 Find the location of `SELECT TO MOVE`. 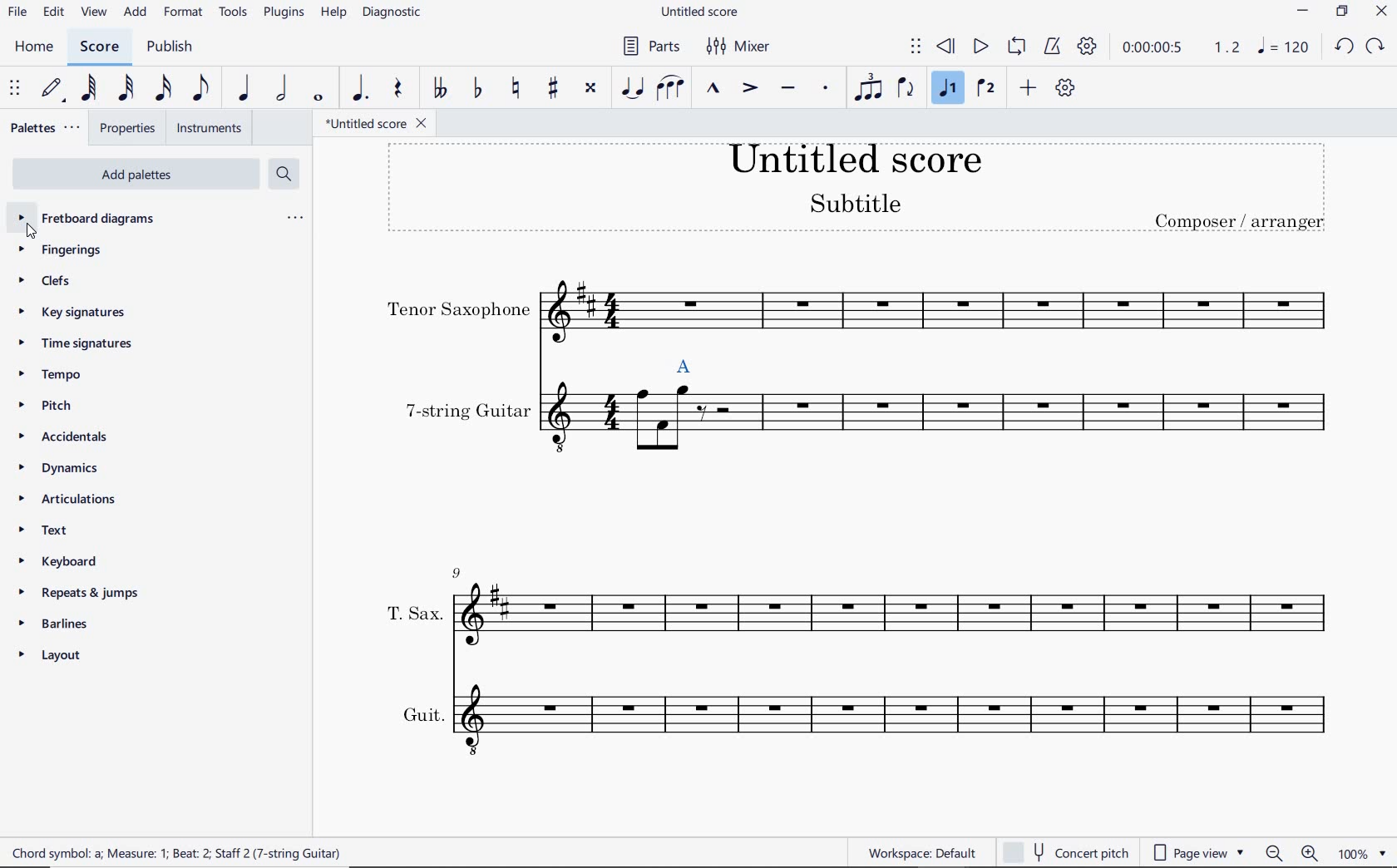

SELECT TO MOVE is located at coordinates (916, 47).